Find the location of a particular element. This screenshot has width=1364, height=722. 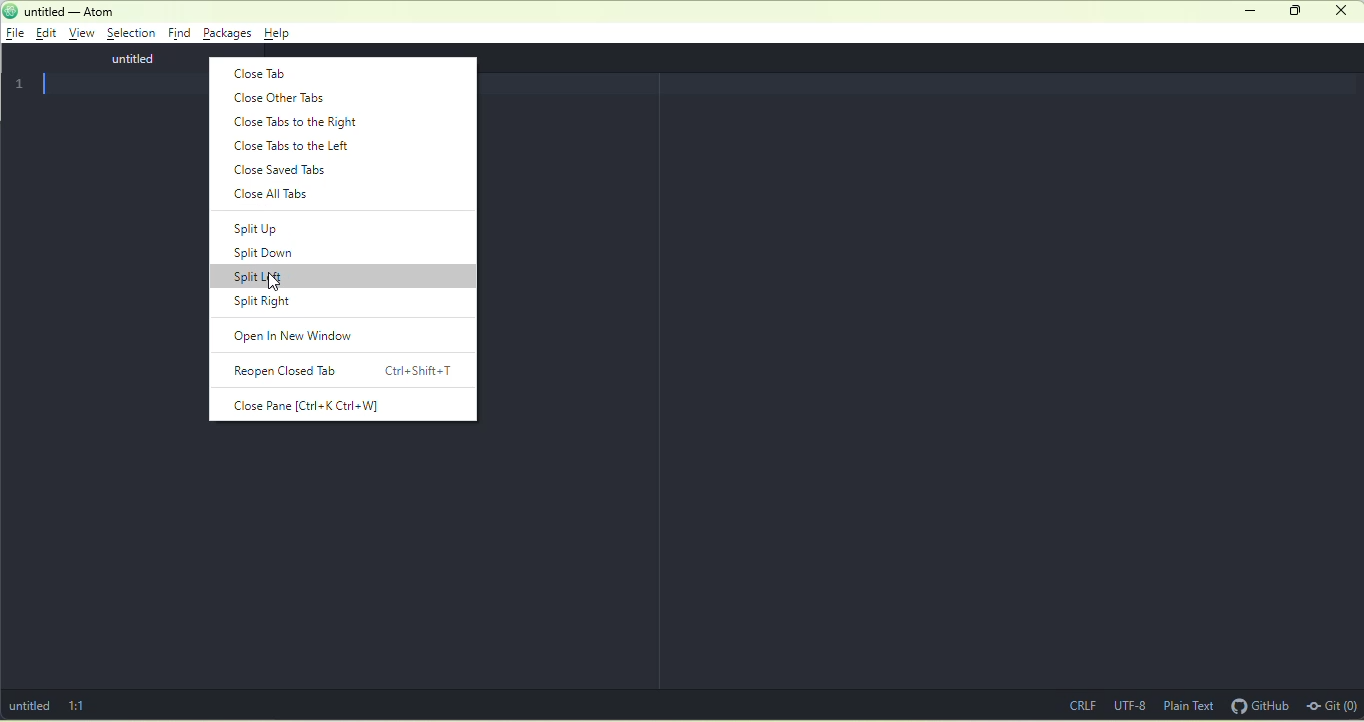

CRLF is located at coordinates (1078, 703).